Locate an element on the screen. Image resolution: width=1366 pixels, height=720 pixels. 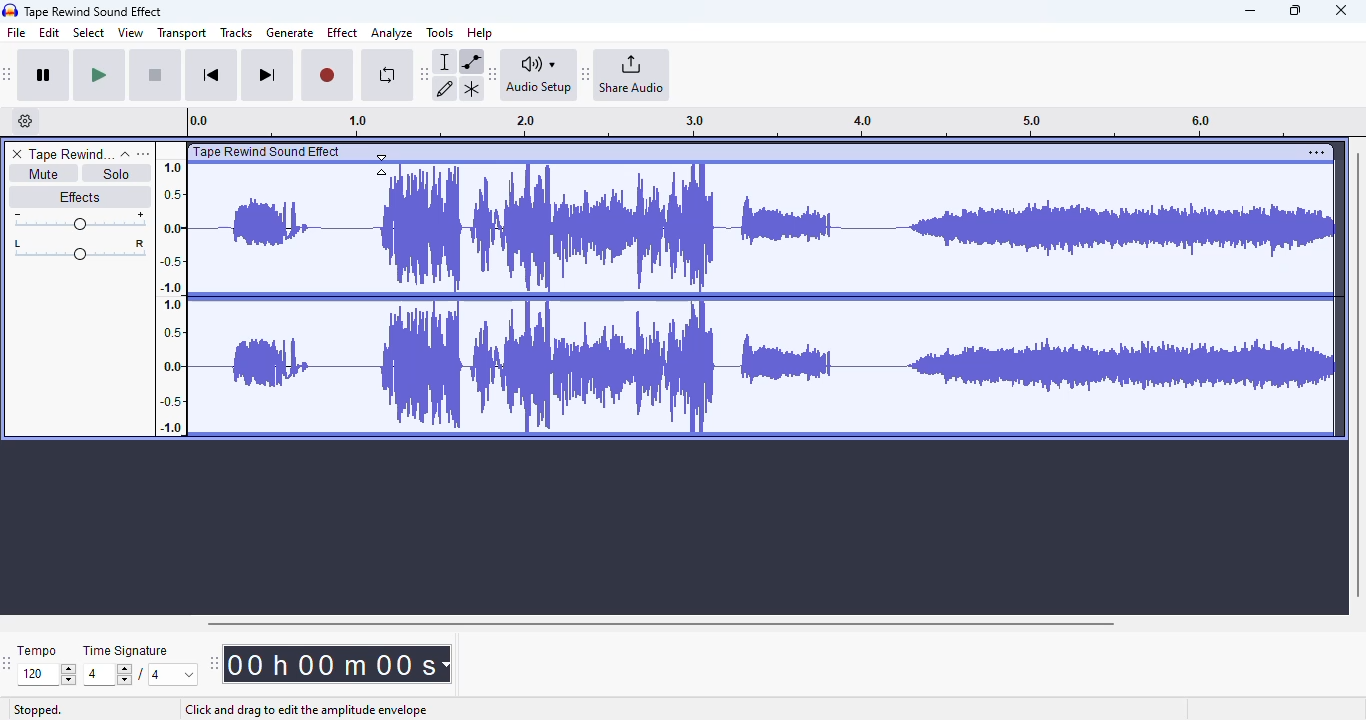
select is located at coordinates (89, 32).